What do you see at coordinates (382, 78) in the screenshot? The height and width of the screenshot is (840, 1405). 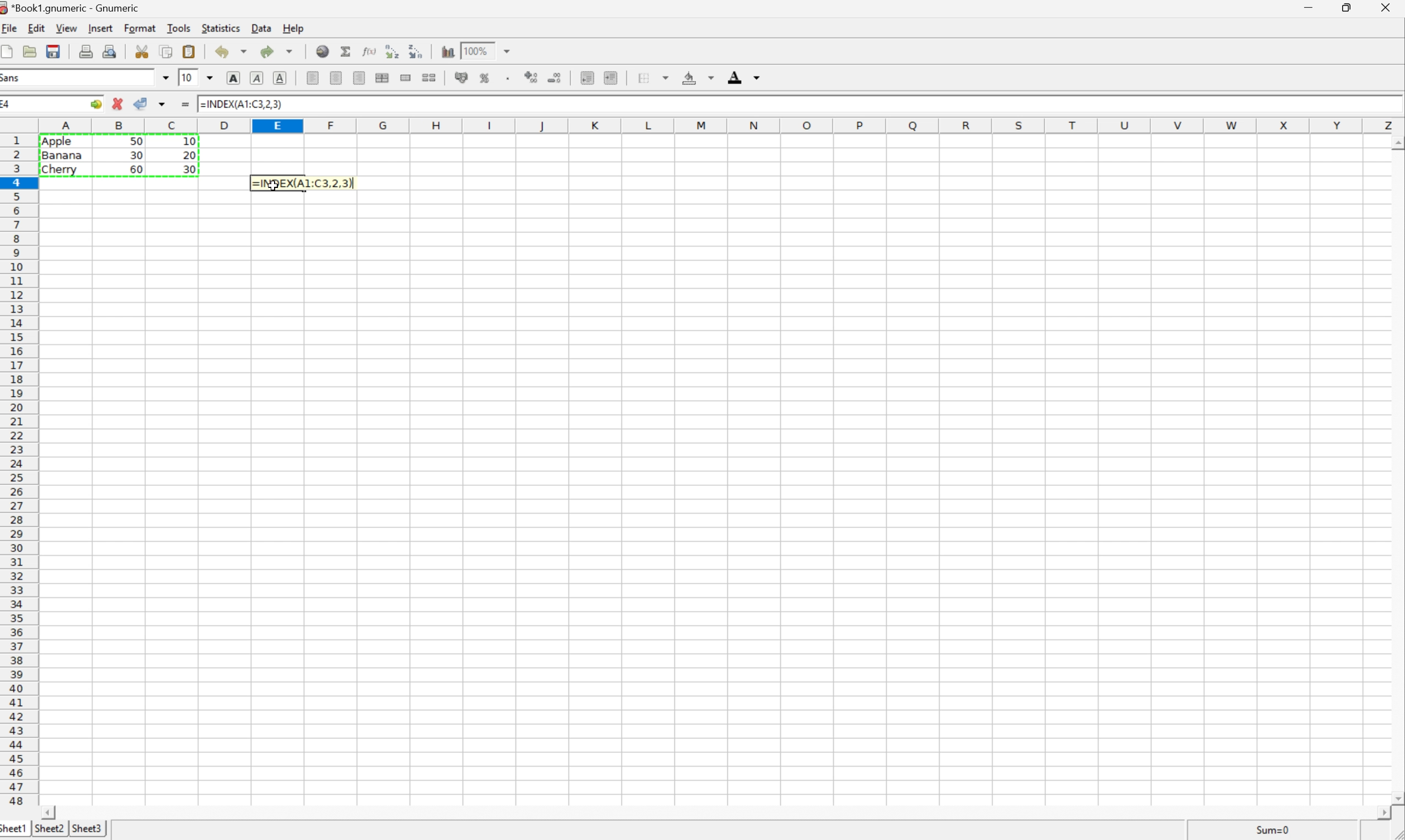 I see `center horizontally` at bounding box center [382, 78].